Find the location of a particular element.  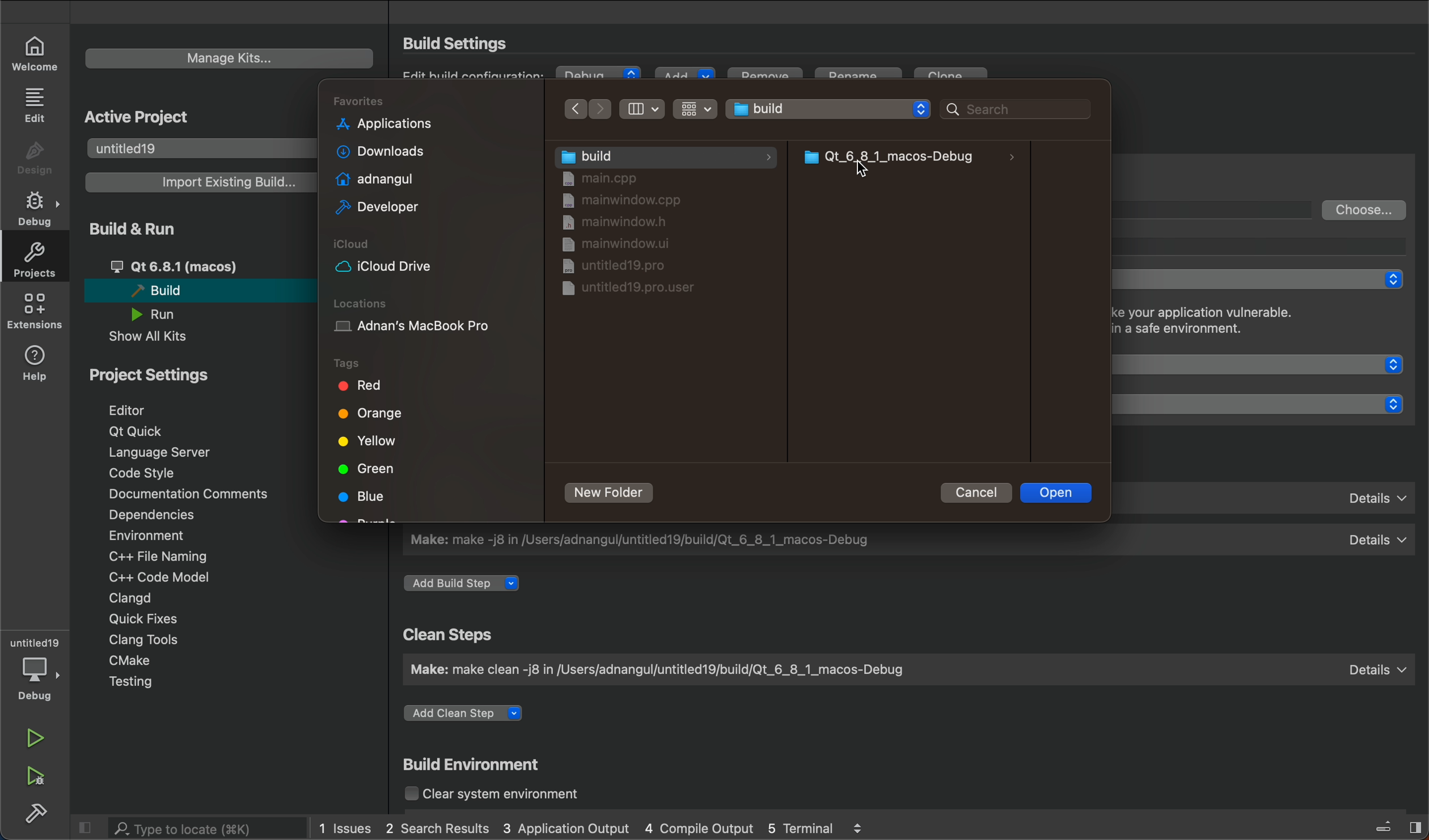

code style is located at coordinates (147, 473).